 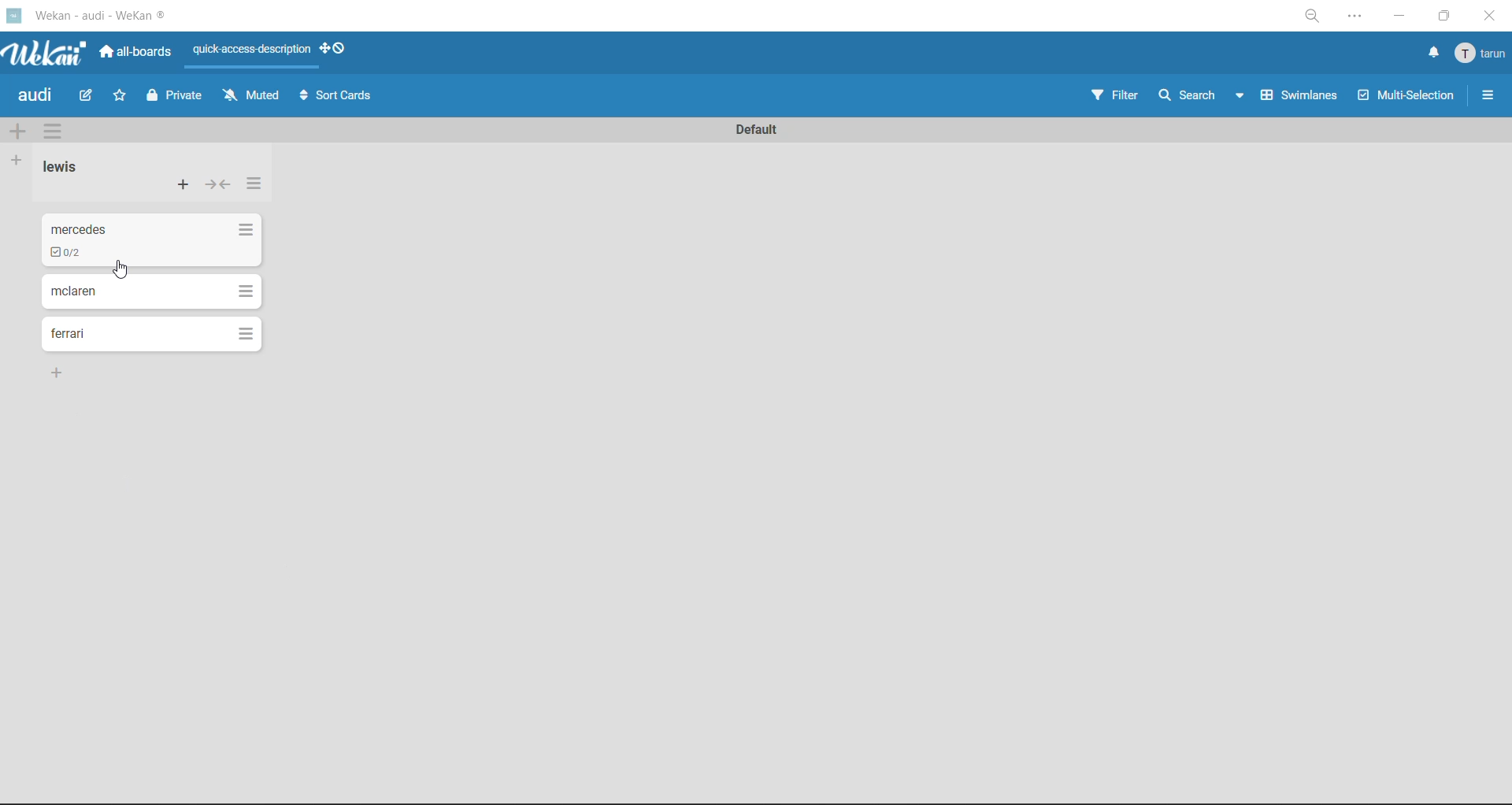 What do you see at coordinates (65, 169) in the screenshot?
I see `list title` at bounding box center [65, 169].